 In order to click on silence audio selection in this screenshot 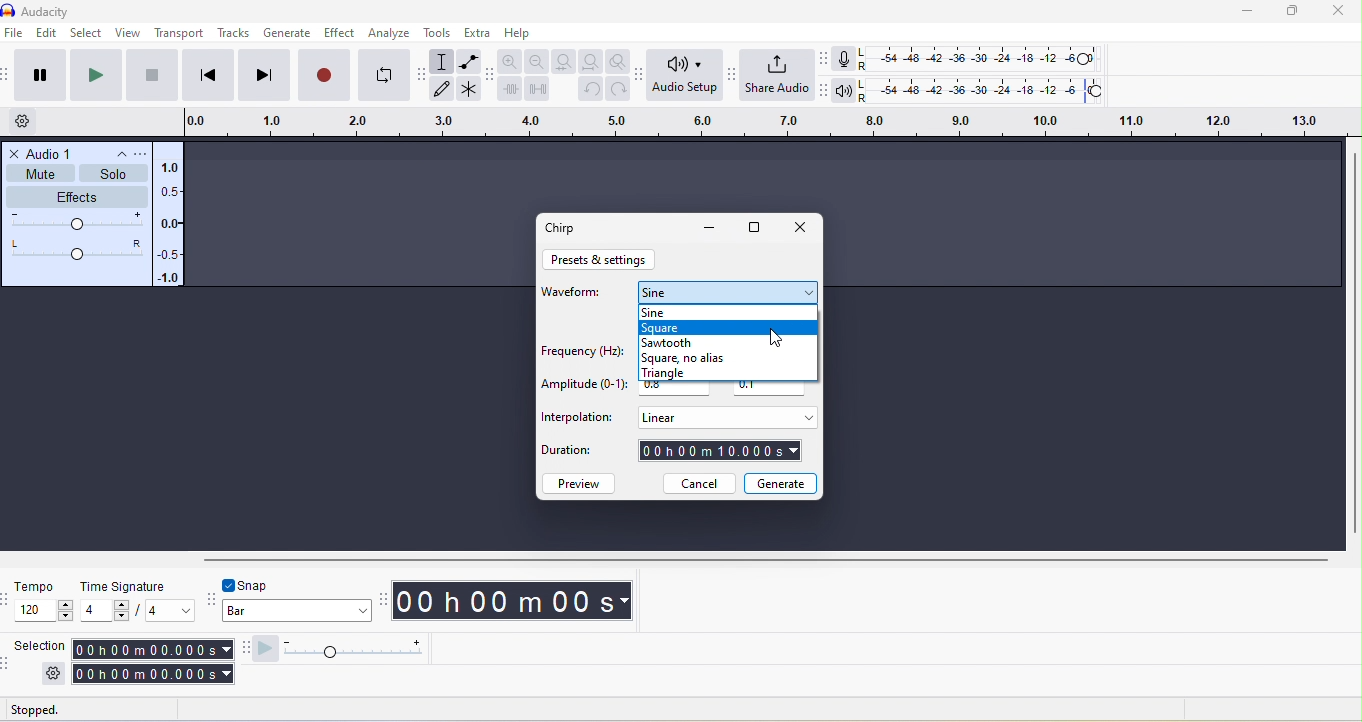, I will do `click(538, 88)`.